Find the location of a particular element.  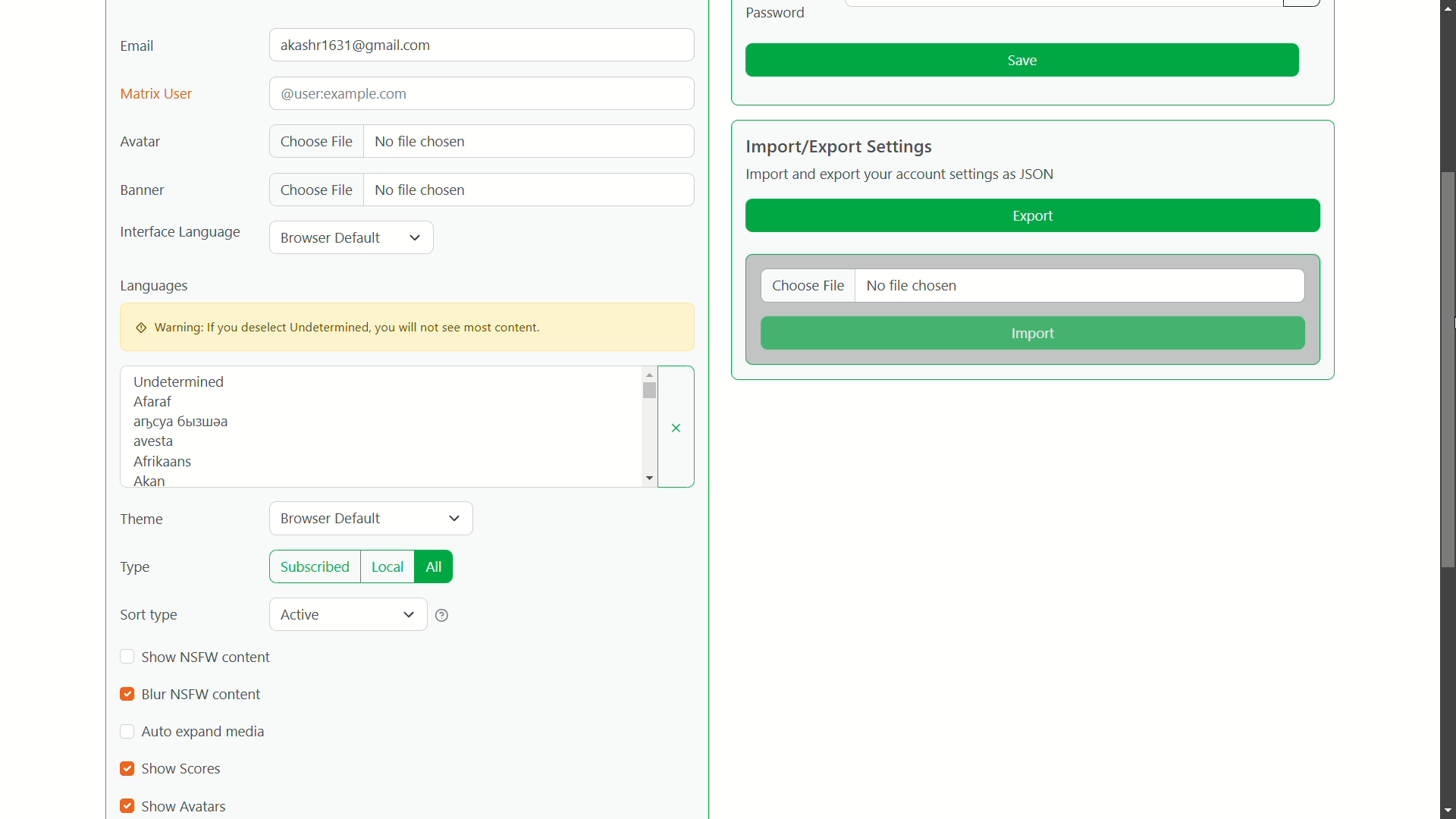

akan is located at coordinates (147, 482).